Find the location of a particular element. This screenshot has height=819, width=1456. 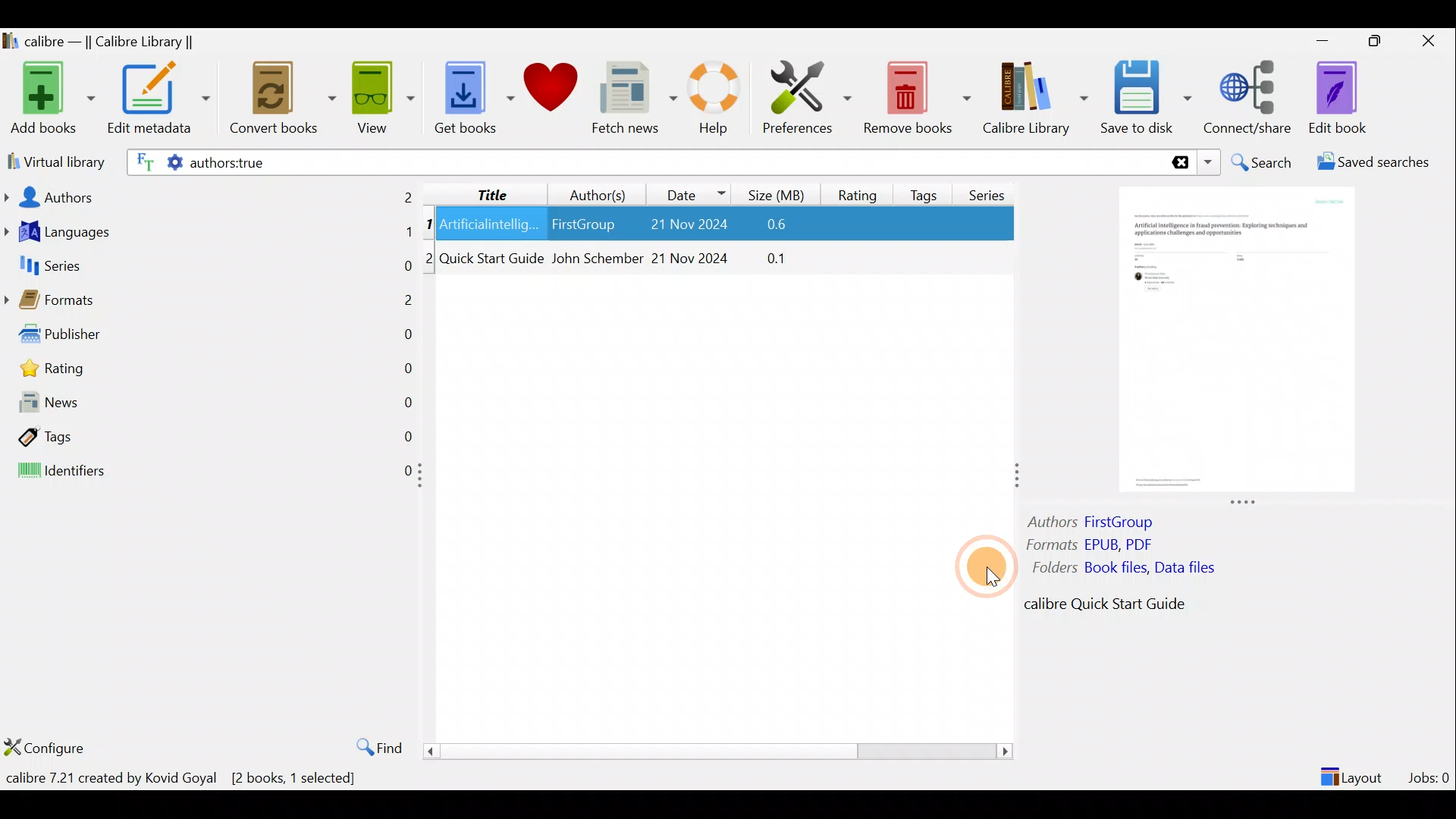

Languages is located at coordinates (209, 234).